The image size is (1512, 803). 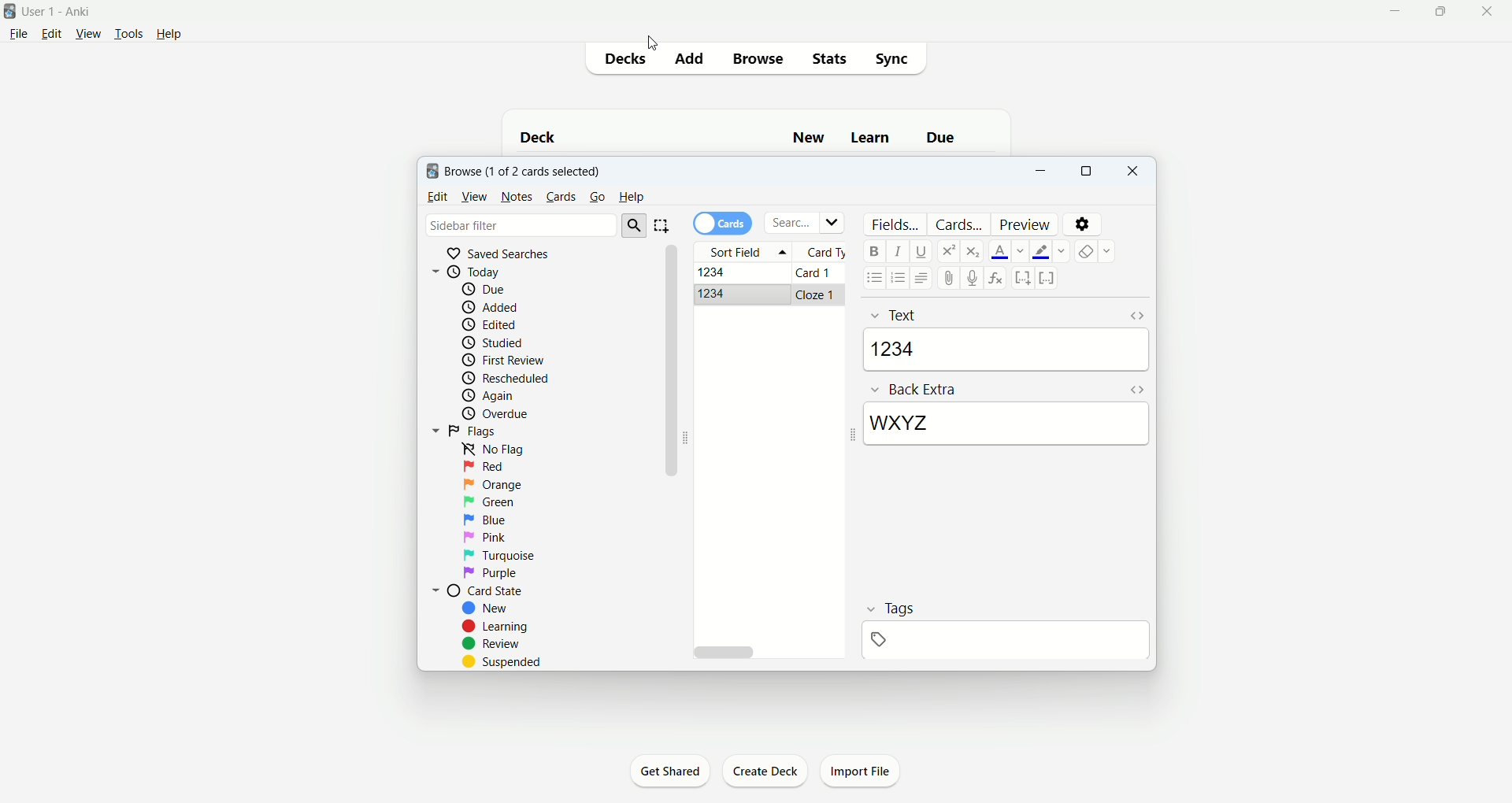 What do you see at coordinates (48, 36) in the screenshot?
I see `edit` at bounding box center [48, 36].